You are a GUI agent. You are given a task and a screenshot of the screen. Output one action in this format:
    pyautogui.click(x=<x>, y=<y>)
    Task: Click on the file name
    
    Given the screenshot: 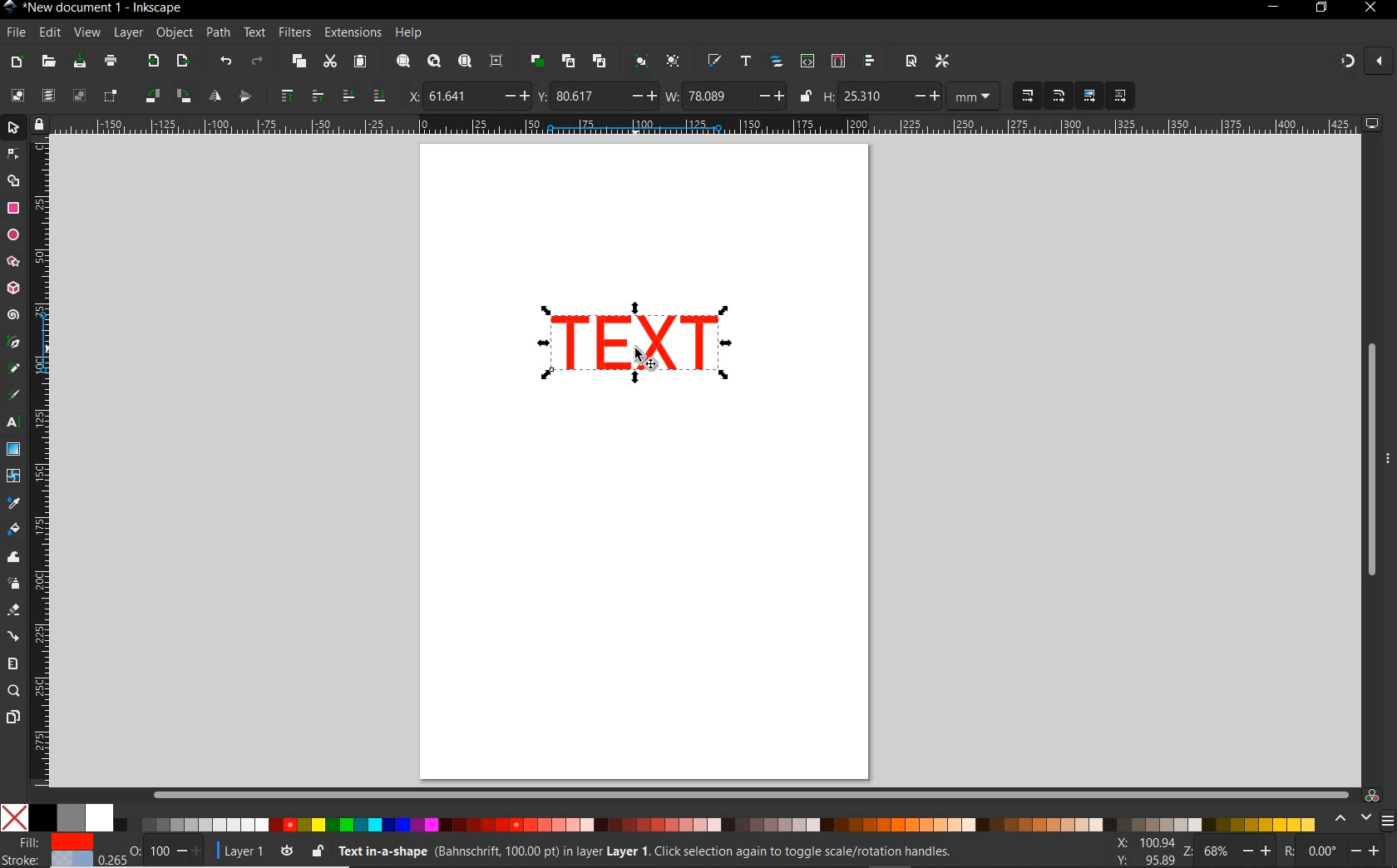 What is the action you would take?
    pyautogui.click(x=93, y=7)
    